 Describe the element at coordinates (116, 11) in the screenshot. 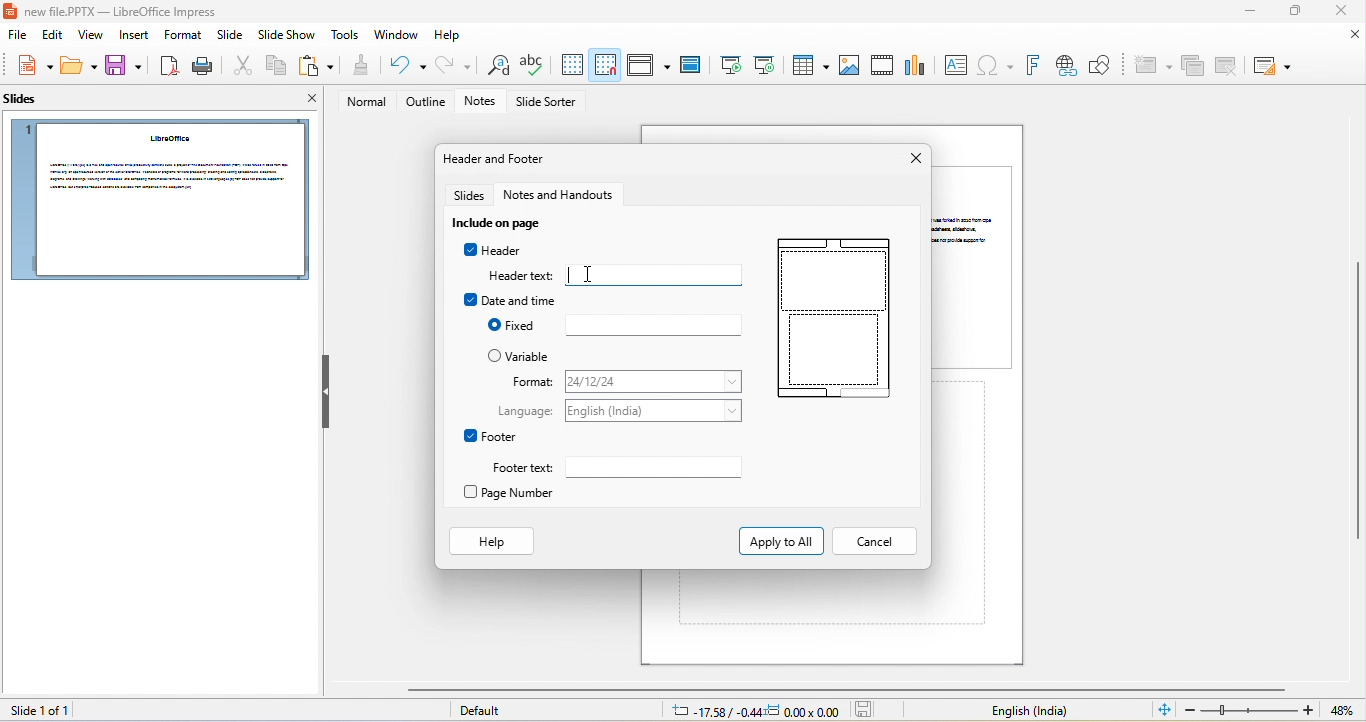

I see ` new file.PPTX — LibreOffice Impress` at that location.